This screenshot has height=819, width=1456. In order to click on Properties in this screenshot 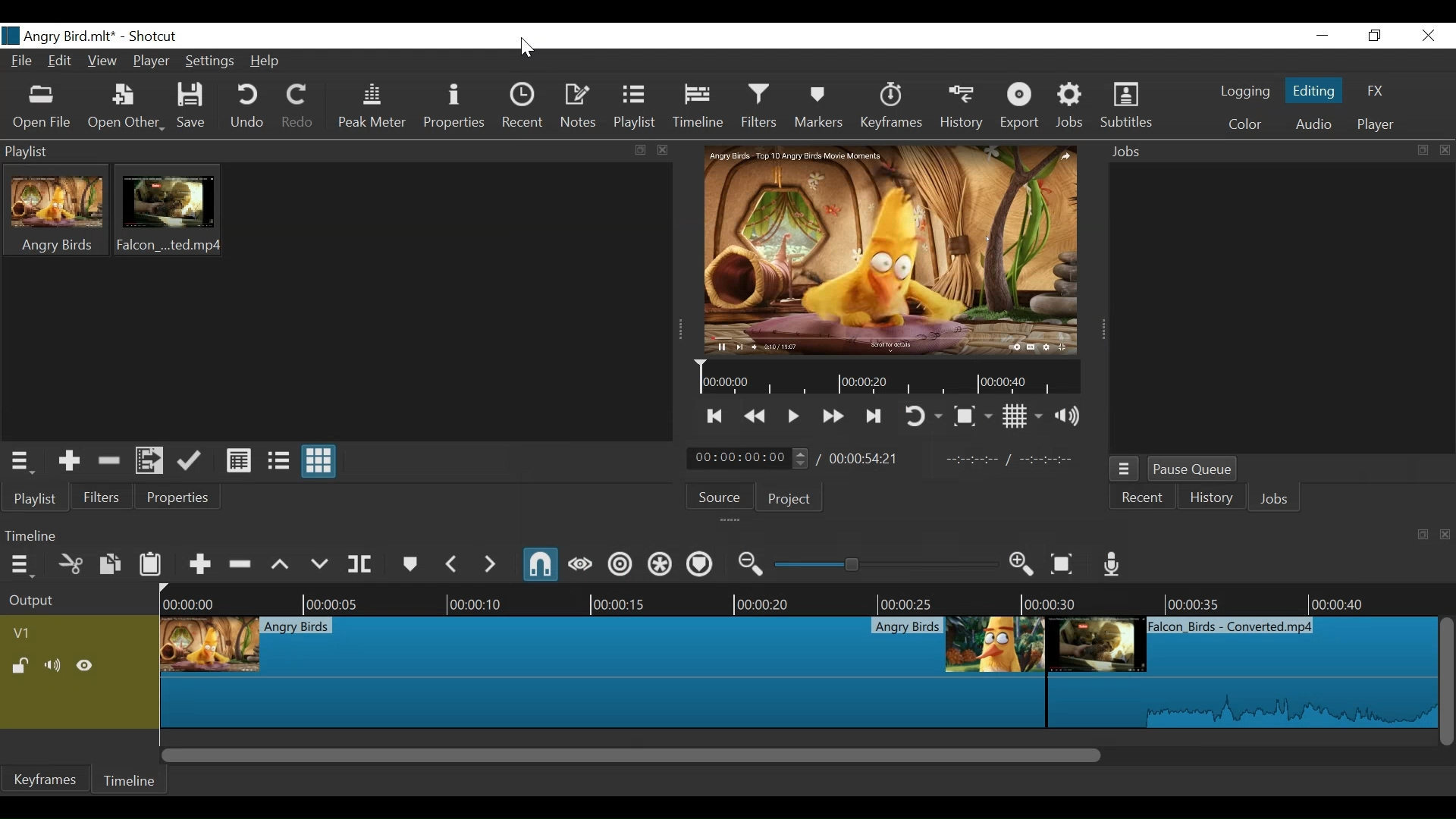, I will do `click(176, 497)`.